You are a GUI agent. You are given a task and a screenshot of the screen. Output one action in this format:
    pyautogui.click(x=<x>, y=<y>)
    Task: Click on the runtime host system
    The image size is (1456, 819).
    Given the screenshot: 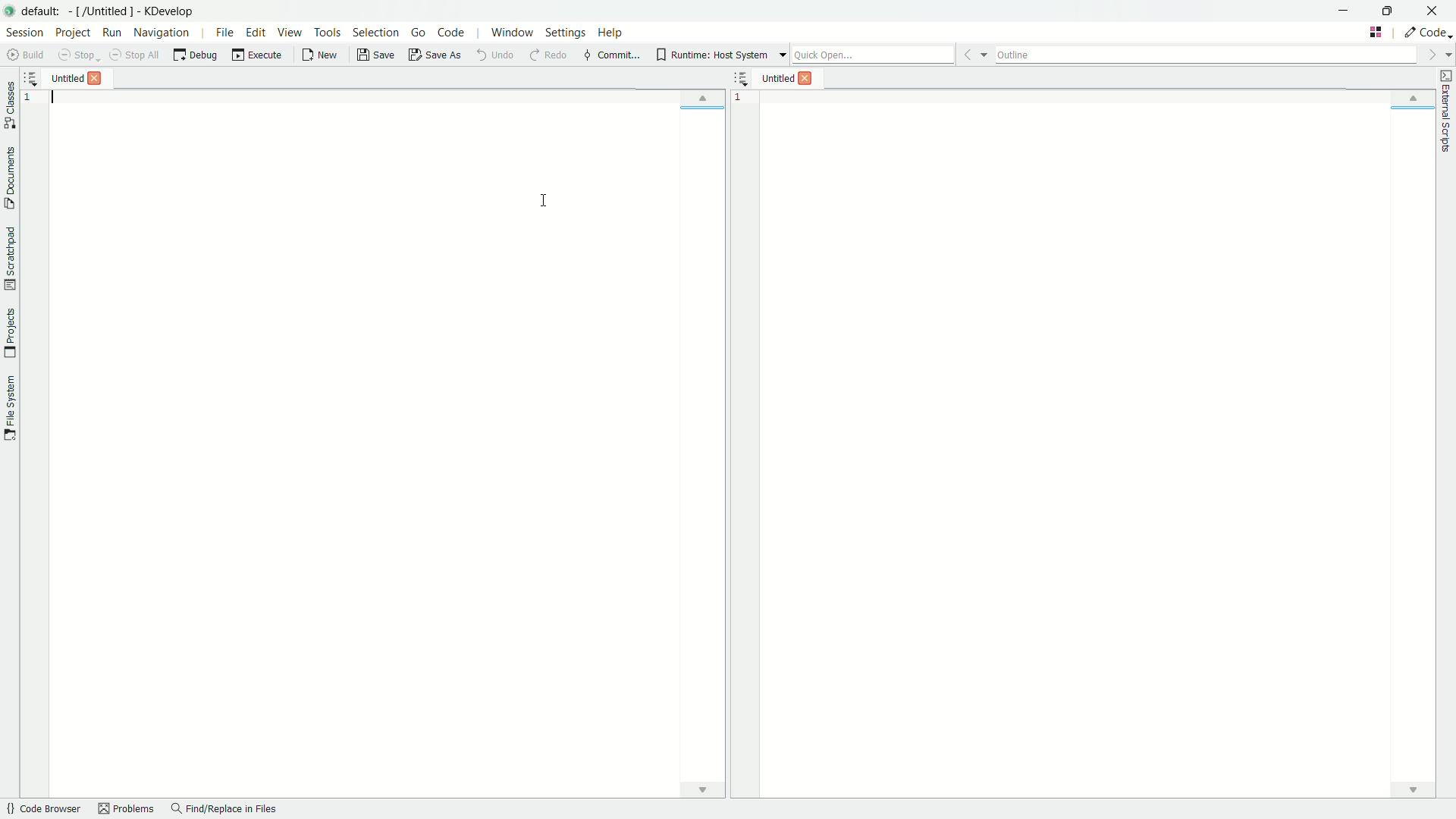 What is the action you would take?
    pyautogui.click(x=721, y=55)
    